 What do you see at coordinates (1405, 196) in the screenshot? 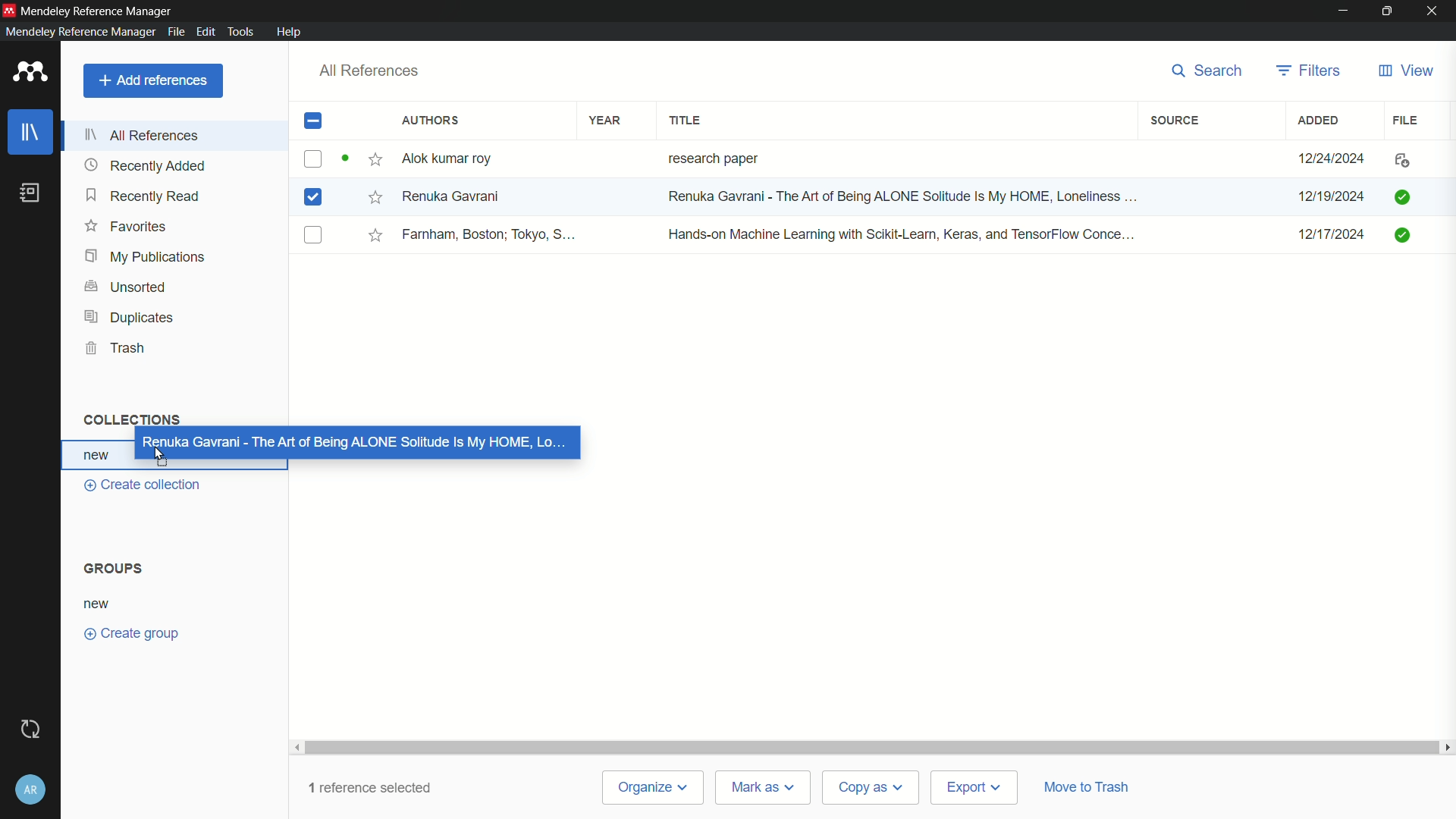
I see `File added` at bounding box center [1405, 196].